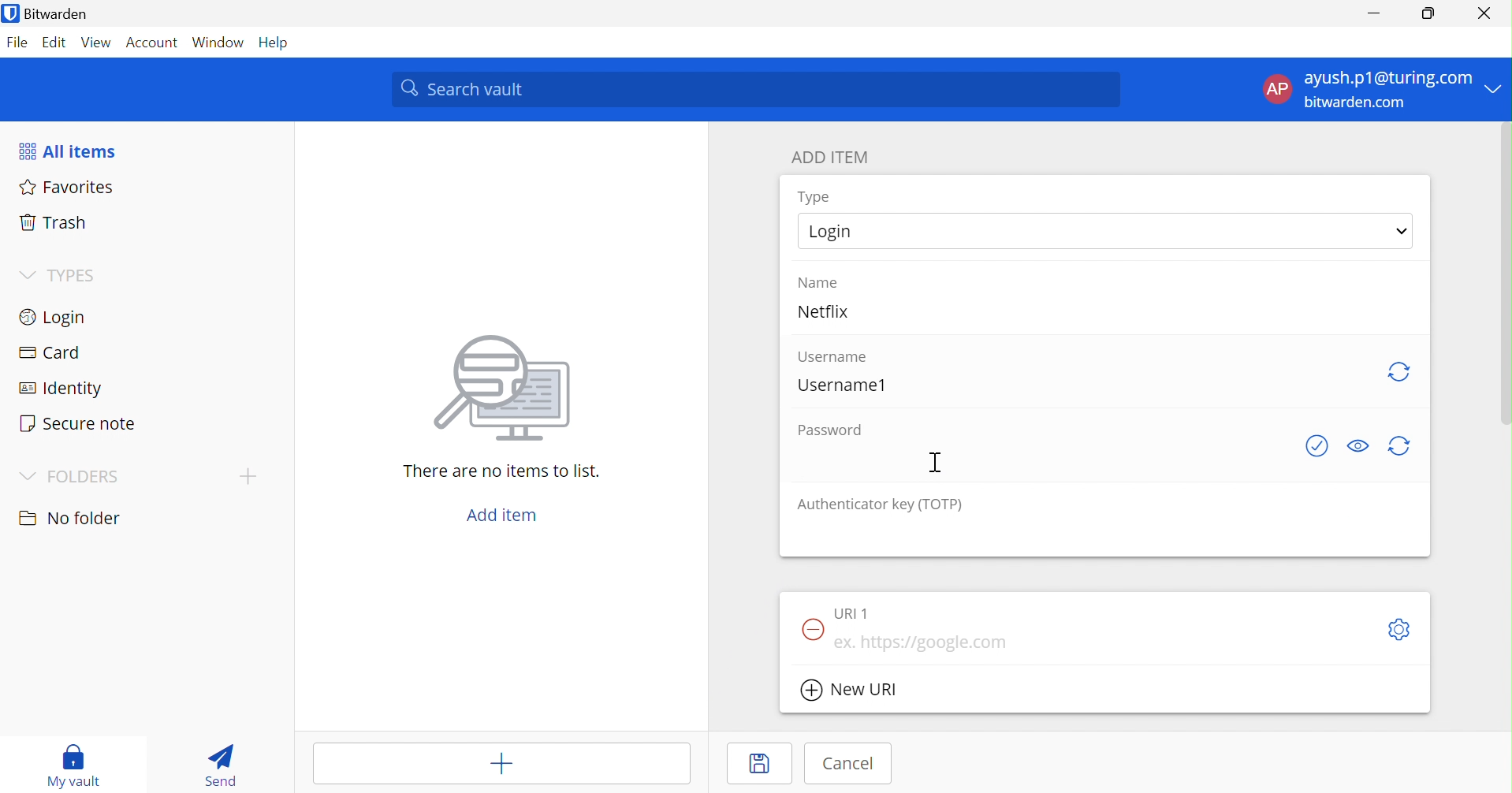 This screenshot has width=1512, height=793. Describe the element at coordinates (70, 518) in the screenshot. I see `No folder` at that location.